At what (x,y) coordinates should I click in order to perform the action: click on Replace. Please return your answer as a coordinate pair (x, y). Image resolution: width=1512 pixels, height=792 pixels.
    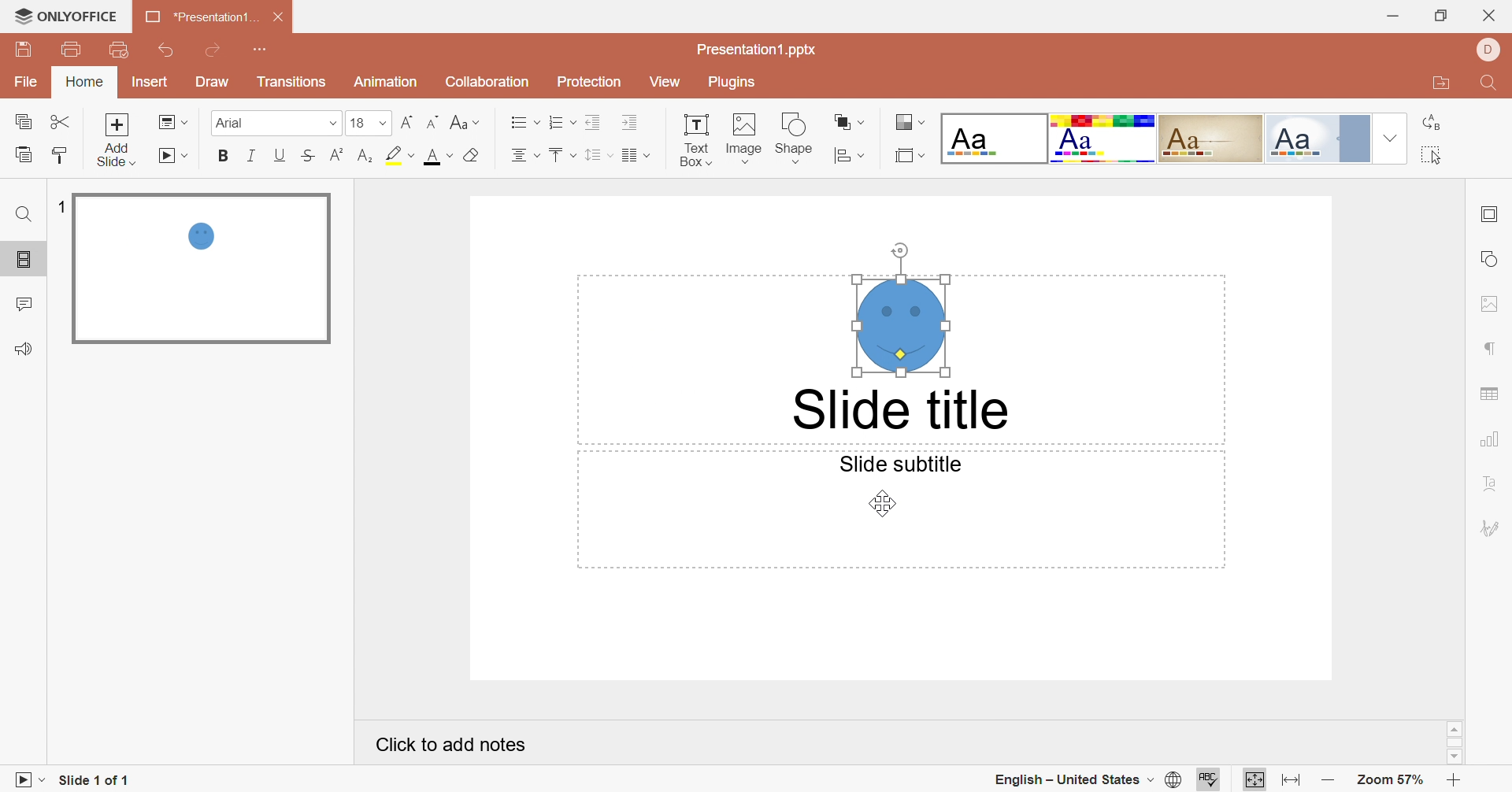
    Looking at the image, I should click on (1434, 123).